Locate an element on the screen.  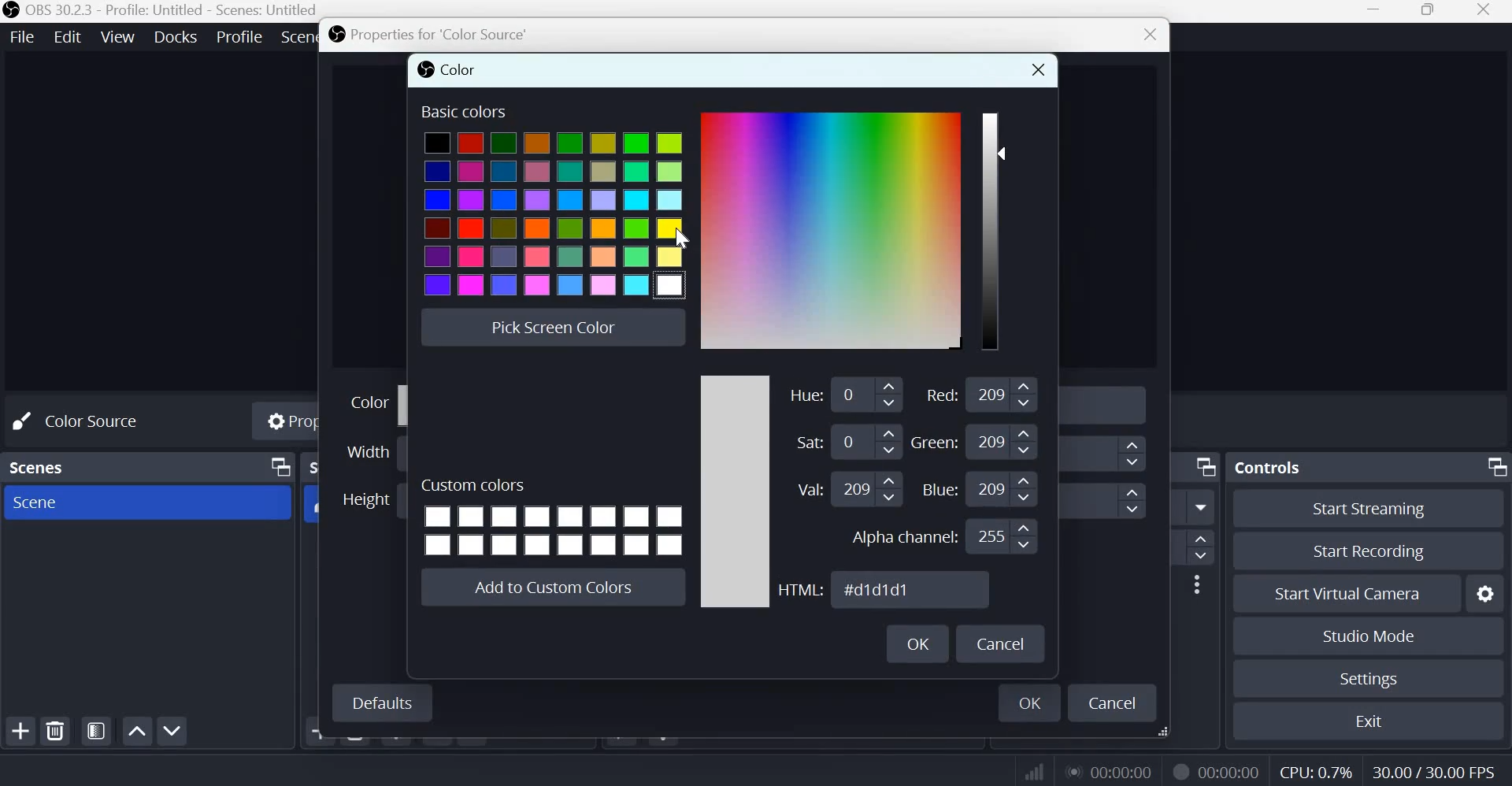
Dock Options icon is located at coordinates (276, 468).